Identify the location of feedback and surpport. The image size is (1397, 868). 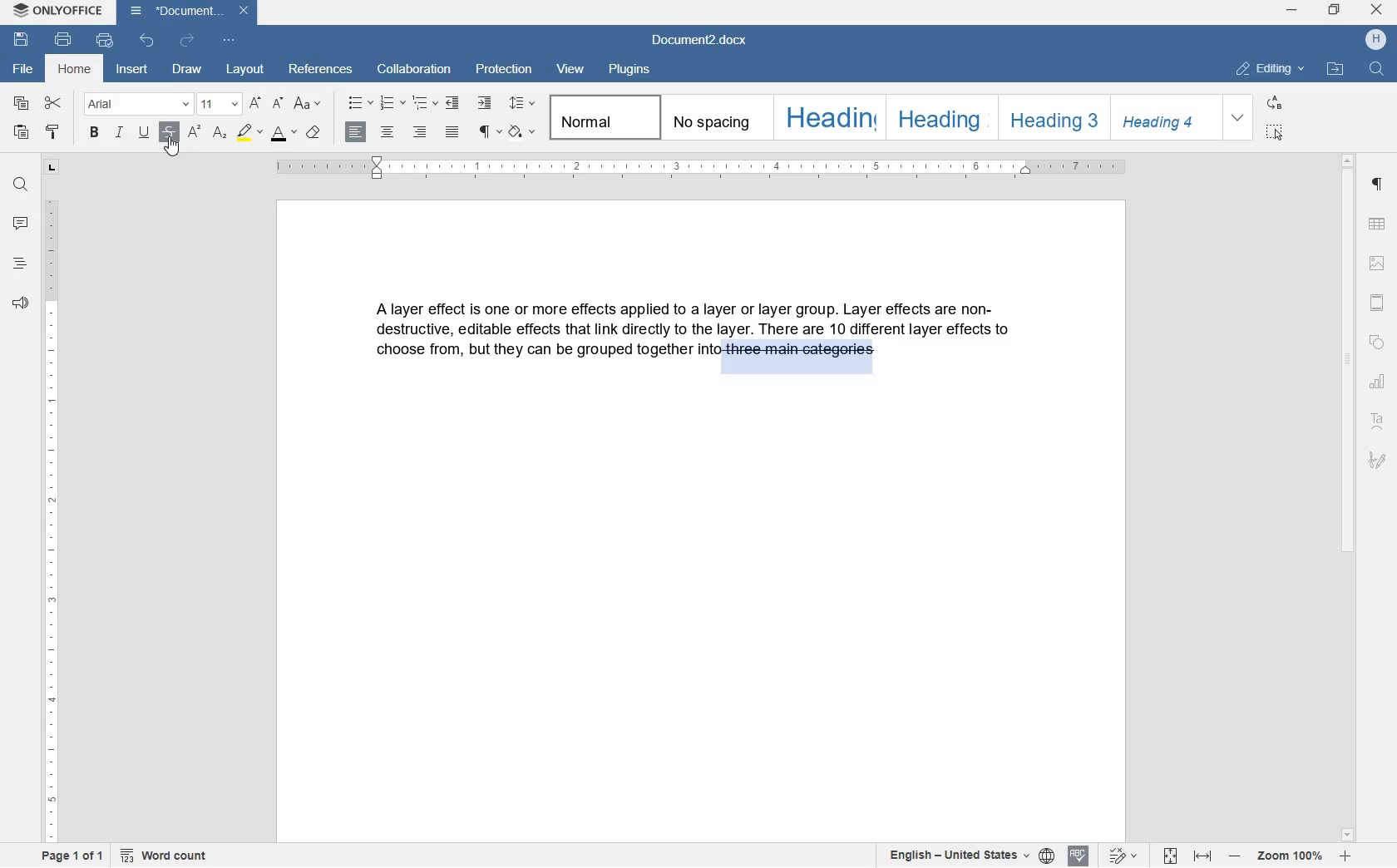
(19, 303).